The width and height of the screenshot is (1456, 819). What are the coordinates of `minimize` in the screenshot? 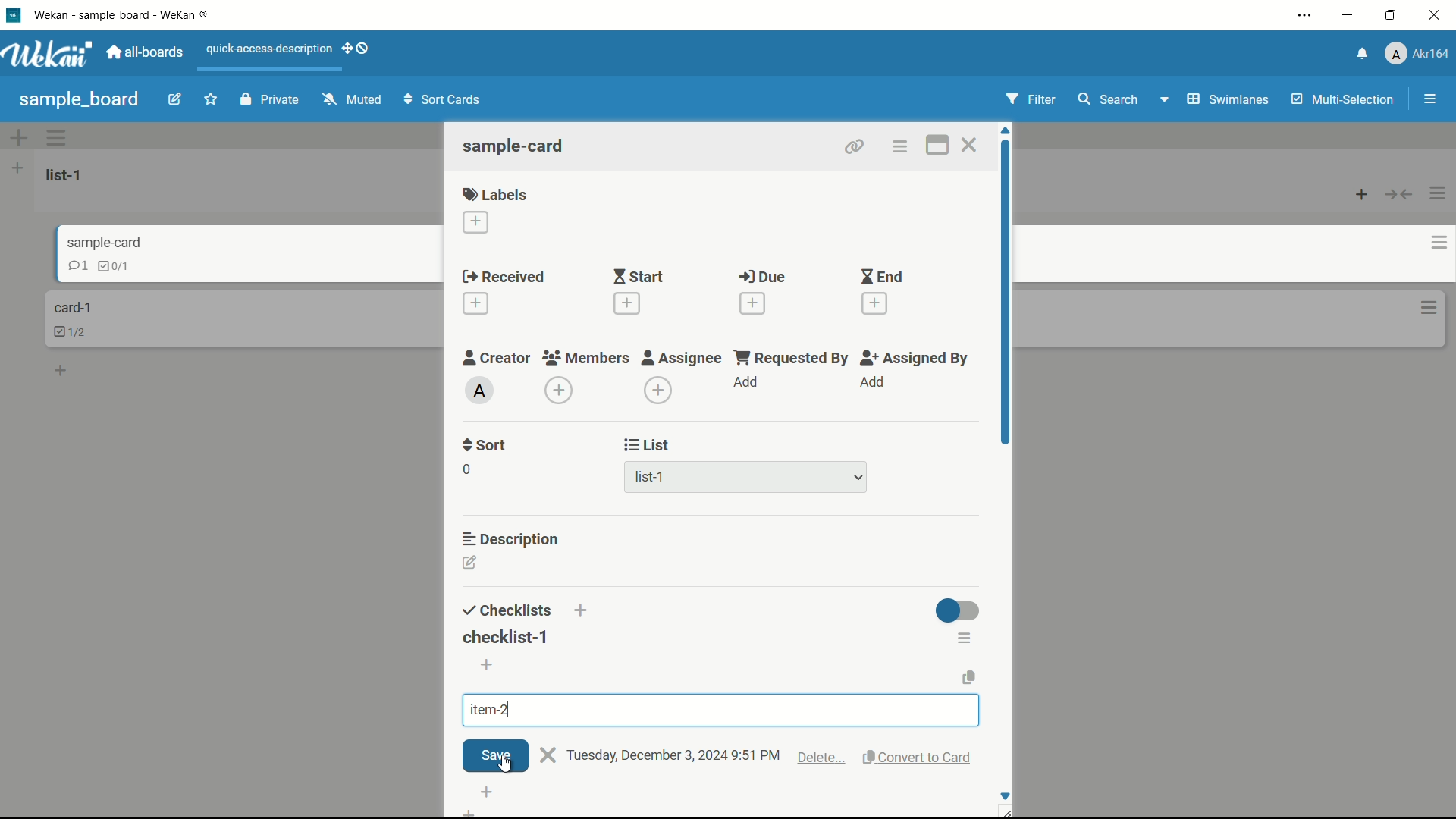 It's located at (1350, 15).